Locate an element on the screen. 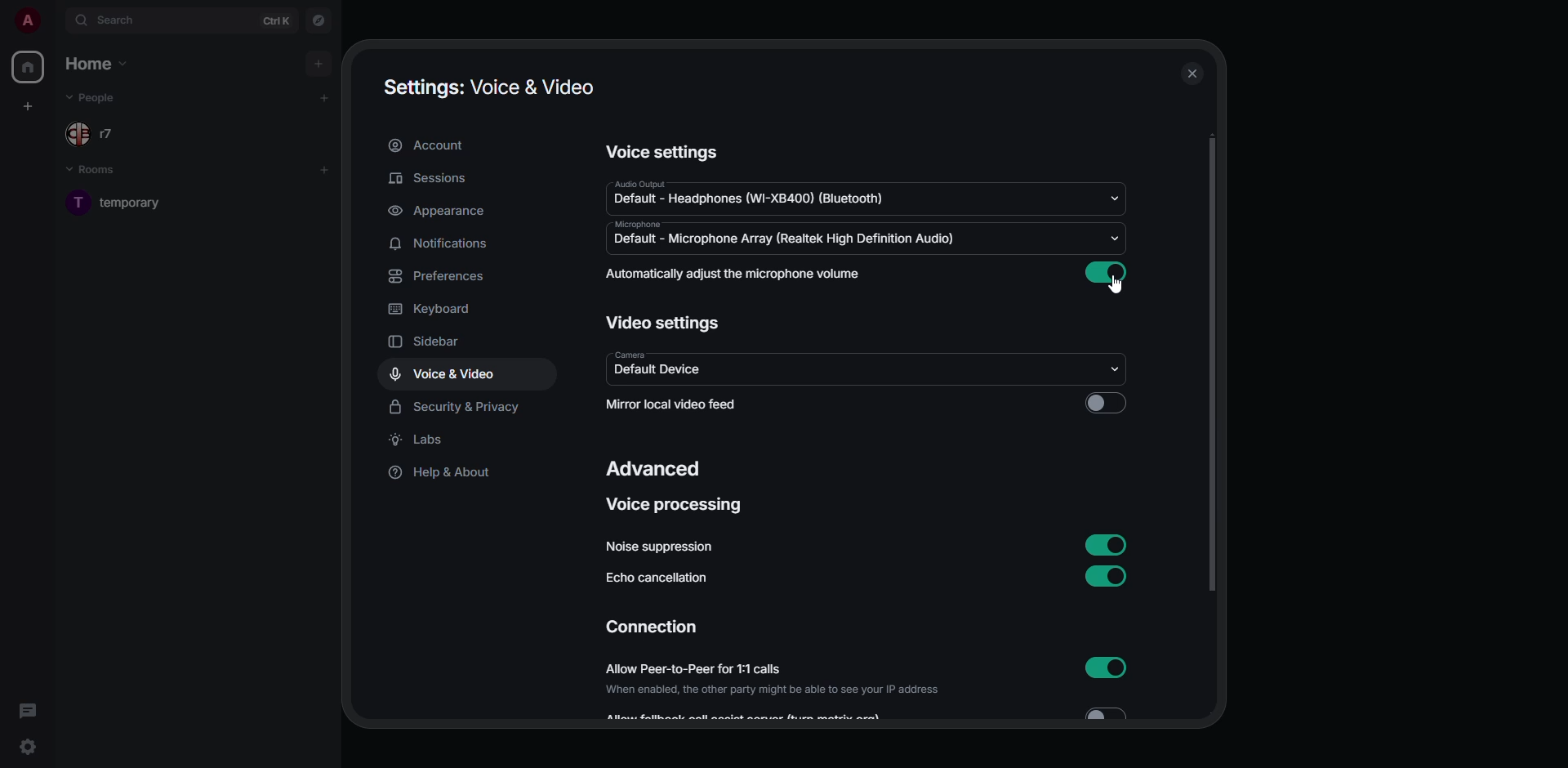 This screenshot has height=768, width=1568. camera is located at coordinates (648, 355).